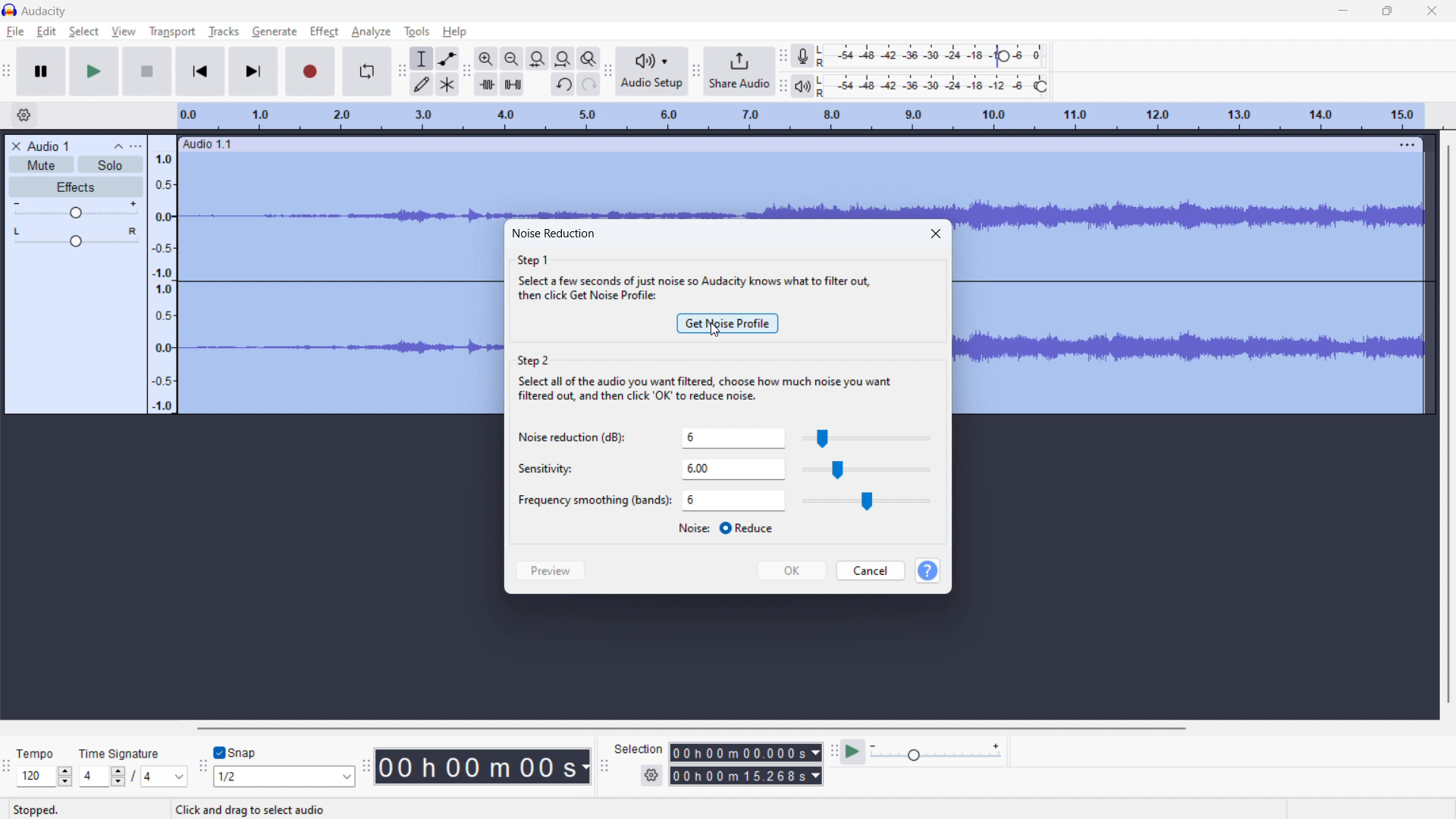 This screenshot has height=819, width=1456. I want to click on play, so click(96, 71).